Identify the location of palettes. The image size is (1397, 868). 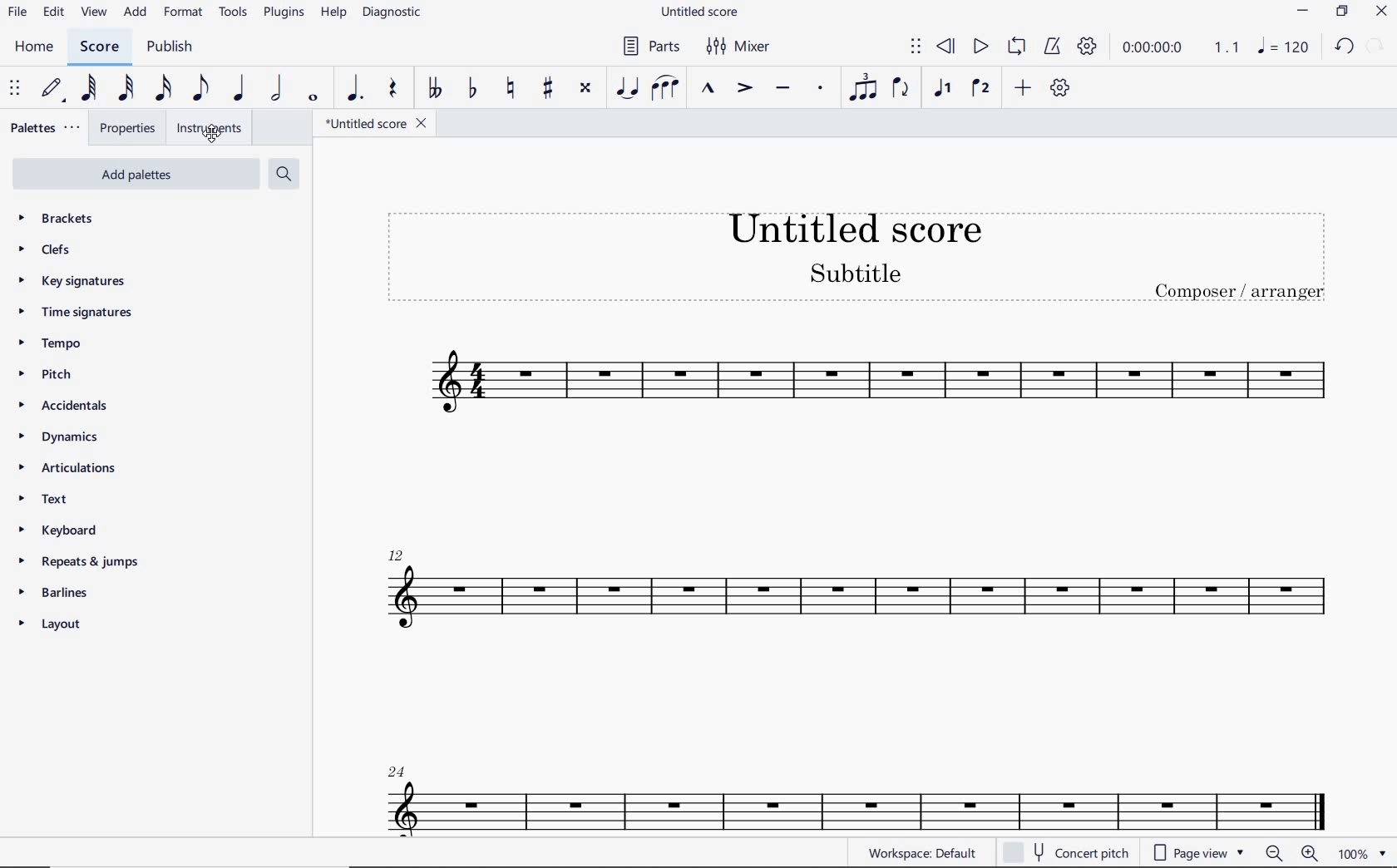
(44, 130).